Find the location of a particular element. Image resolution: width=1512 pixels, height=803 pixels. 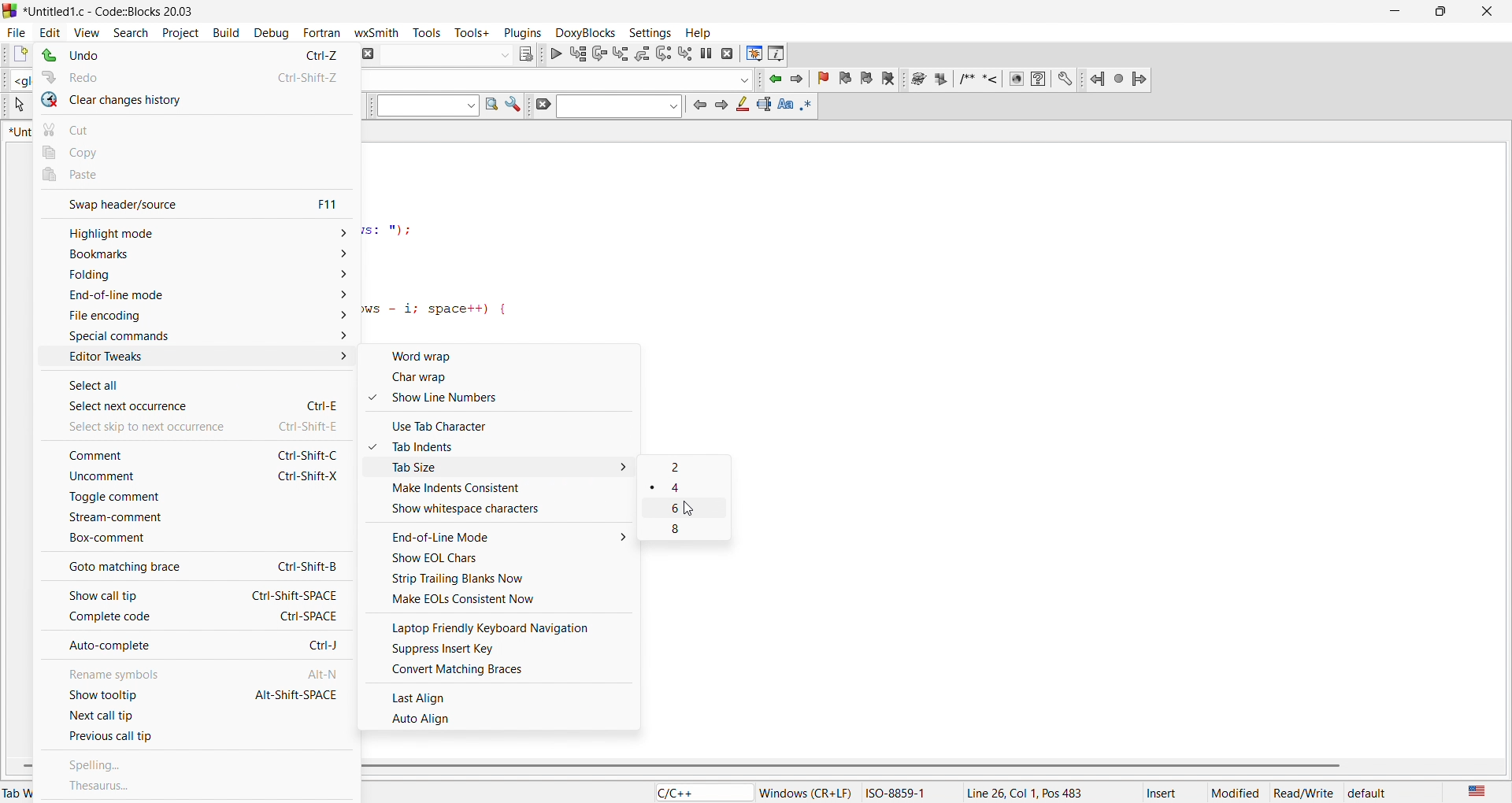

last align is located at coordinates (503, 694).